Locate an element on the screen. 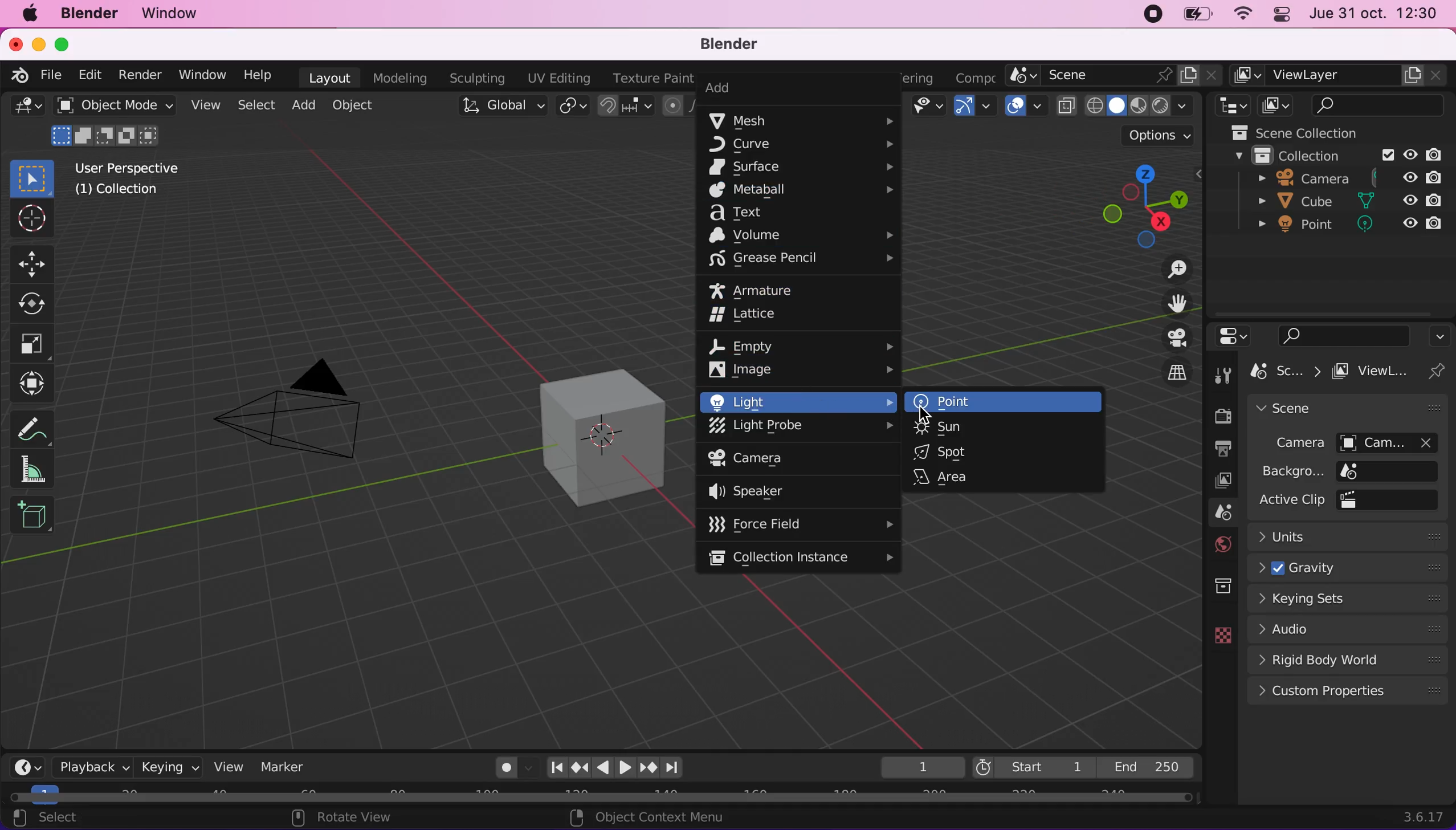 The image size is (1456, 830). grease pencil is located at coordinates (801, 259).